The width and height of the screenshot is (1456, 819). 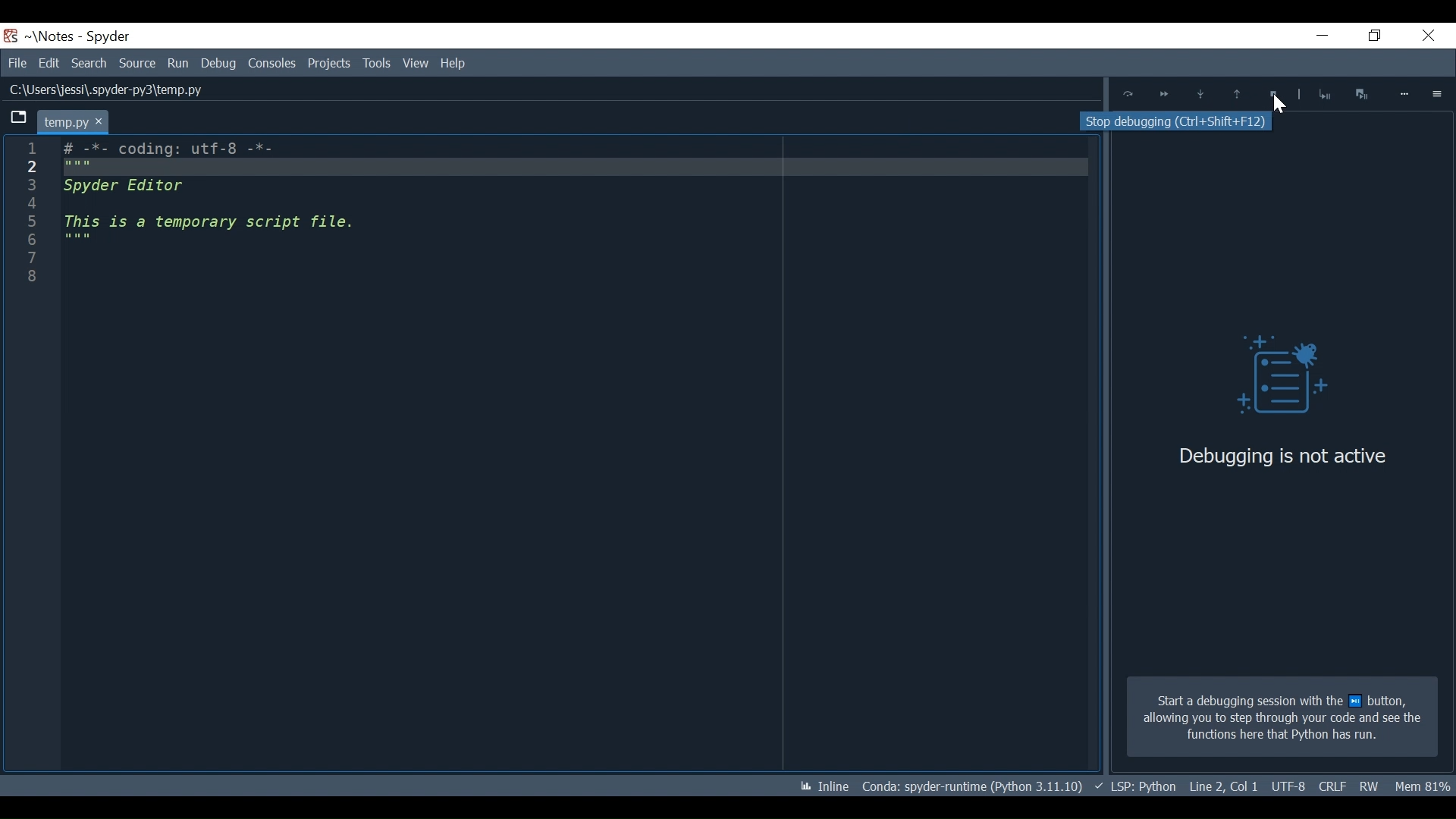 I want to click on Toggle inline and interactive Matplotlib plotting, so click(x=824, y=786).